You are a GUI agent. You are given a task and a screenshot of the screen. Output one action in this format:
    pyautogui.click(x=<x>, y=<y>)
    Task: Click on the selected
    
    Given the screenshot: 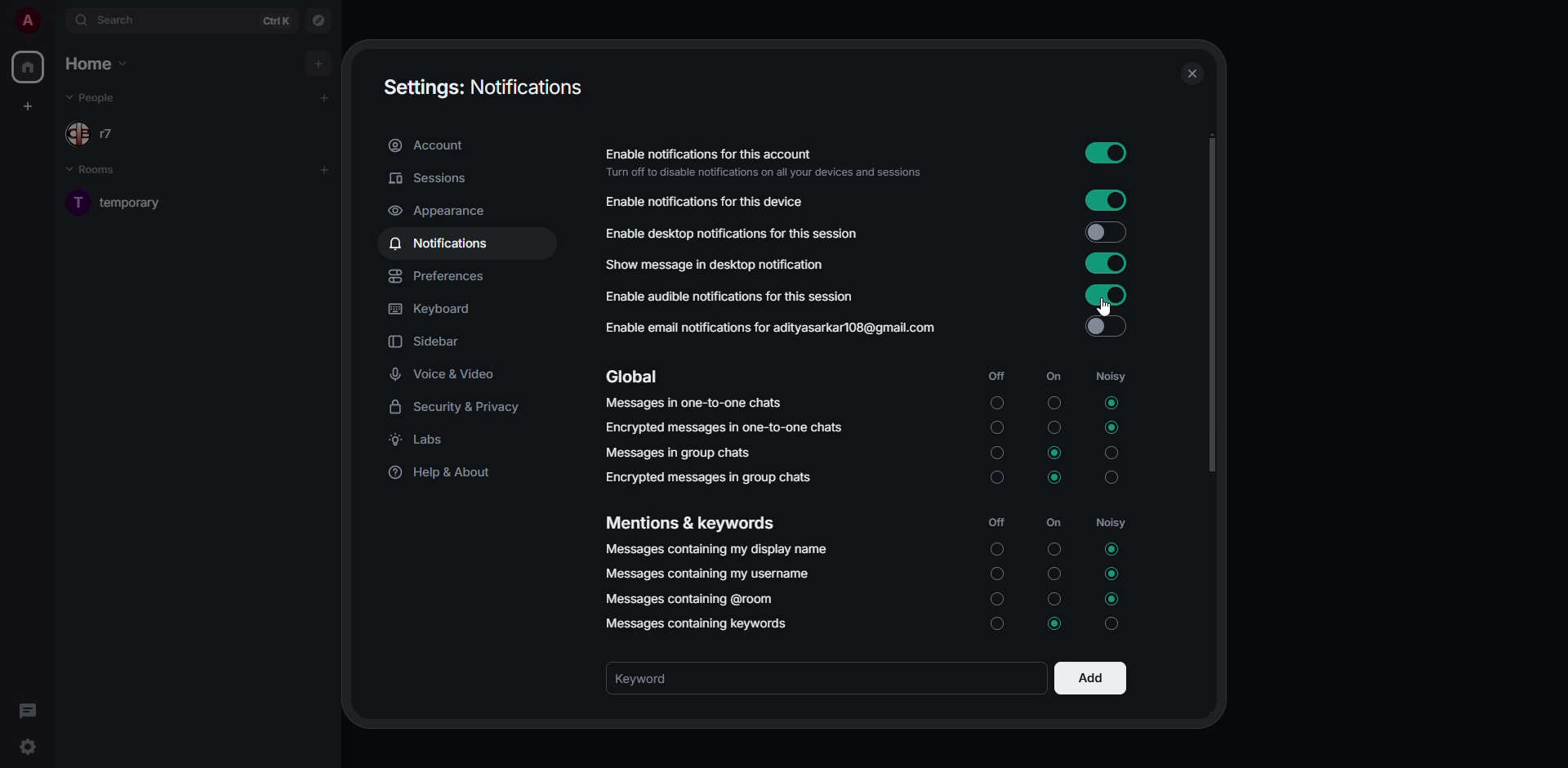 What is the action you would take?
    pyautogui.click(x=1055, y=623)
    